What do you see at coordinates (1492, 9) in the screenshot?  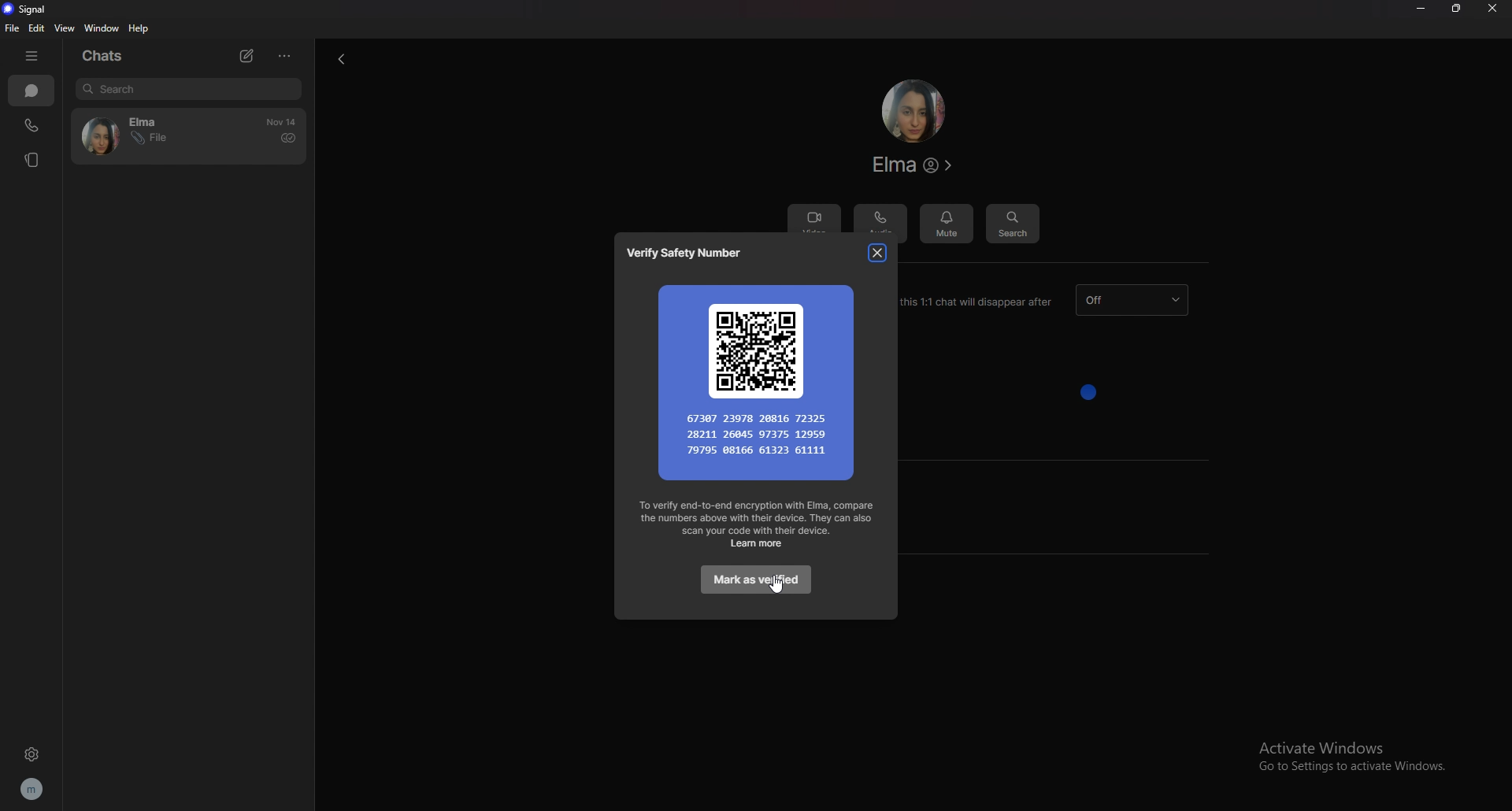 I see `close` at bounding box center [1492, 9].